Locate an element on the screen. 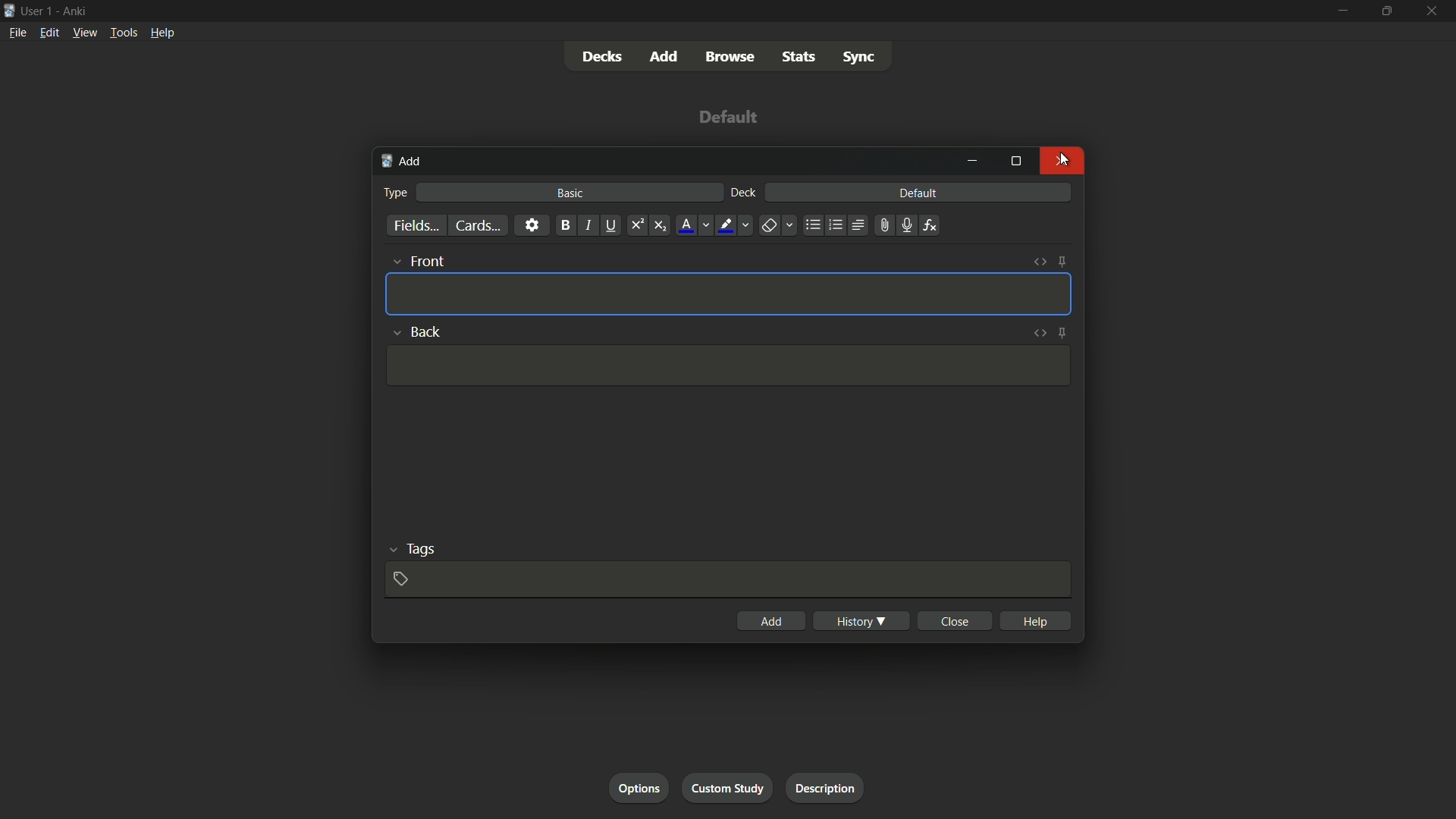 The image size is (1456, 819). basic is located at coordinates (571, 194).